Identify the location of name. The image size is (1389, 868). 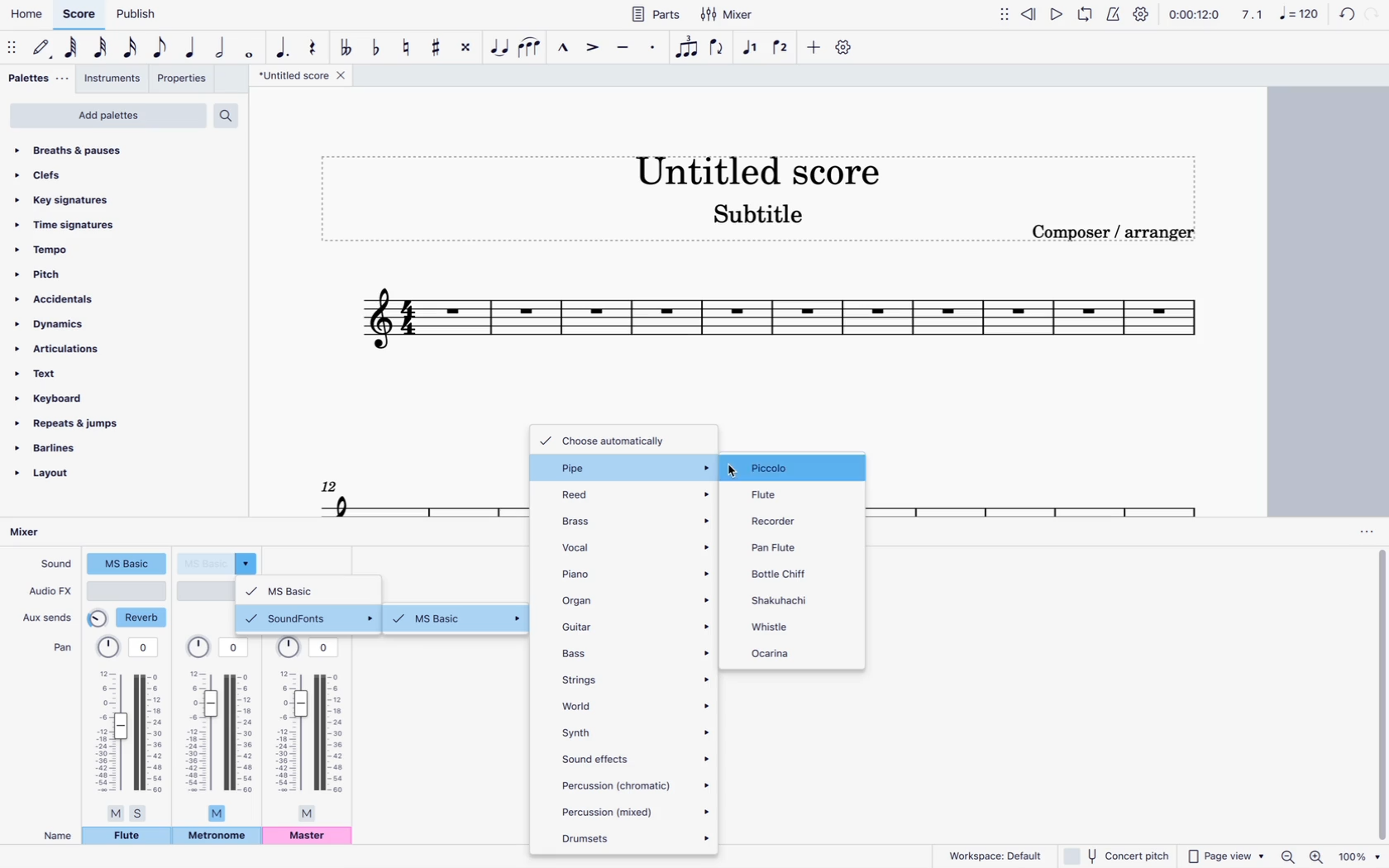
(52, 835).